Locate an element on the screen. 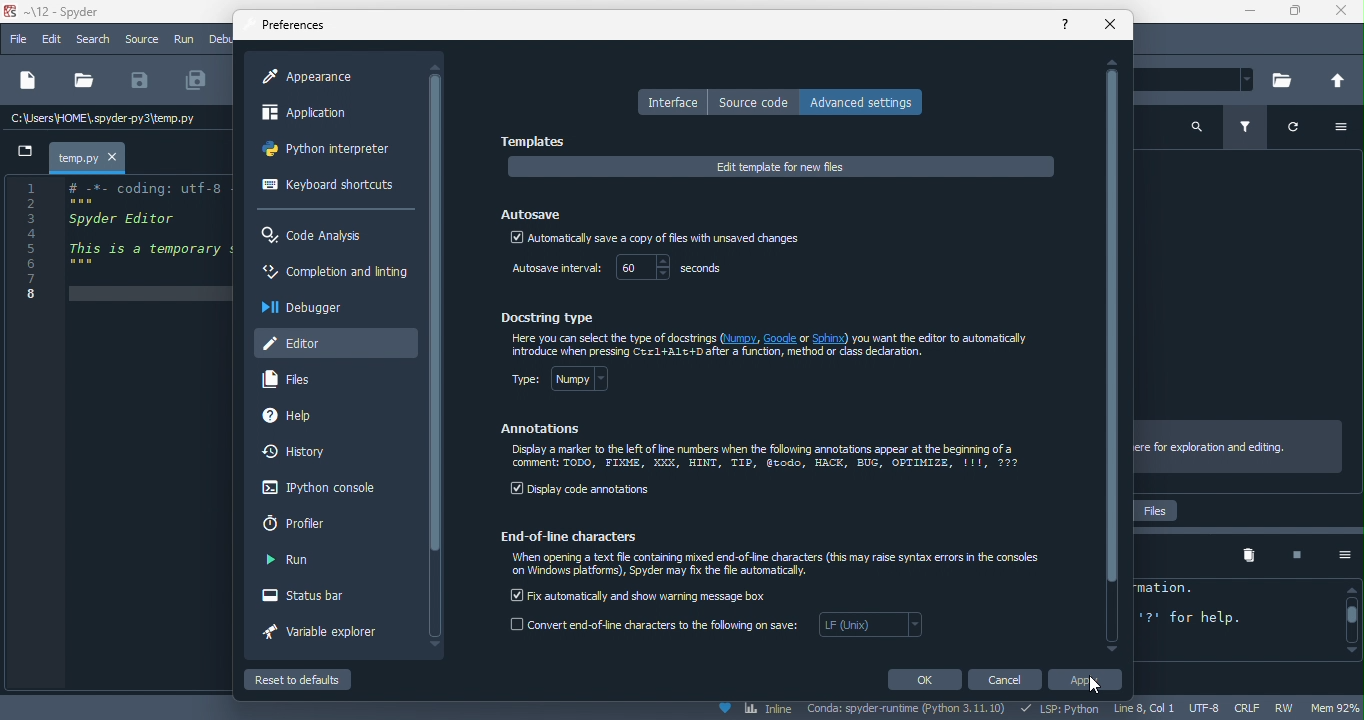  profiler is located at coordinates (304, 523).